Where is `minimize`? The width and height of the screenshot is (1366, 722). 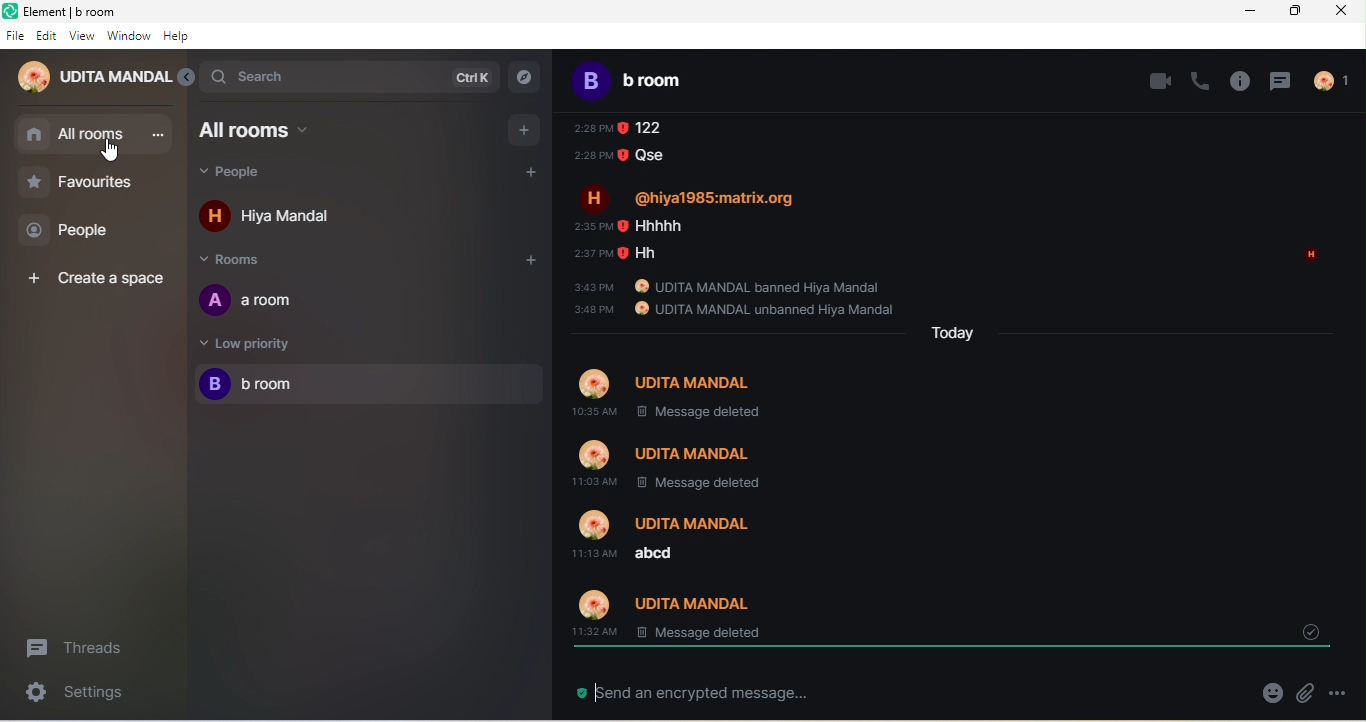 minimize is located at coordinates (1251, 10).